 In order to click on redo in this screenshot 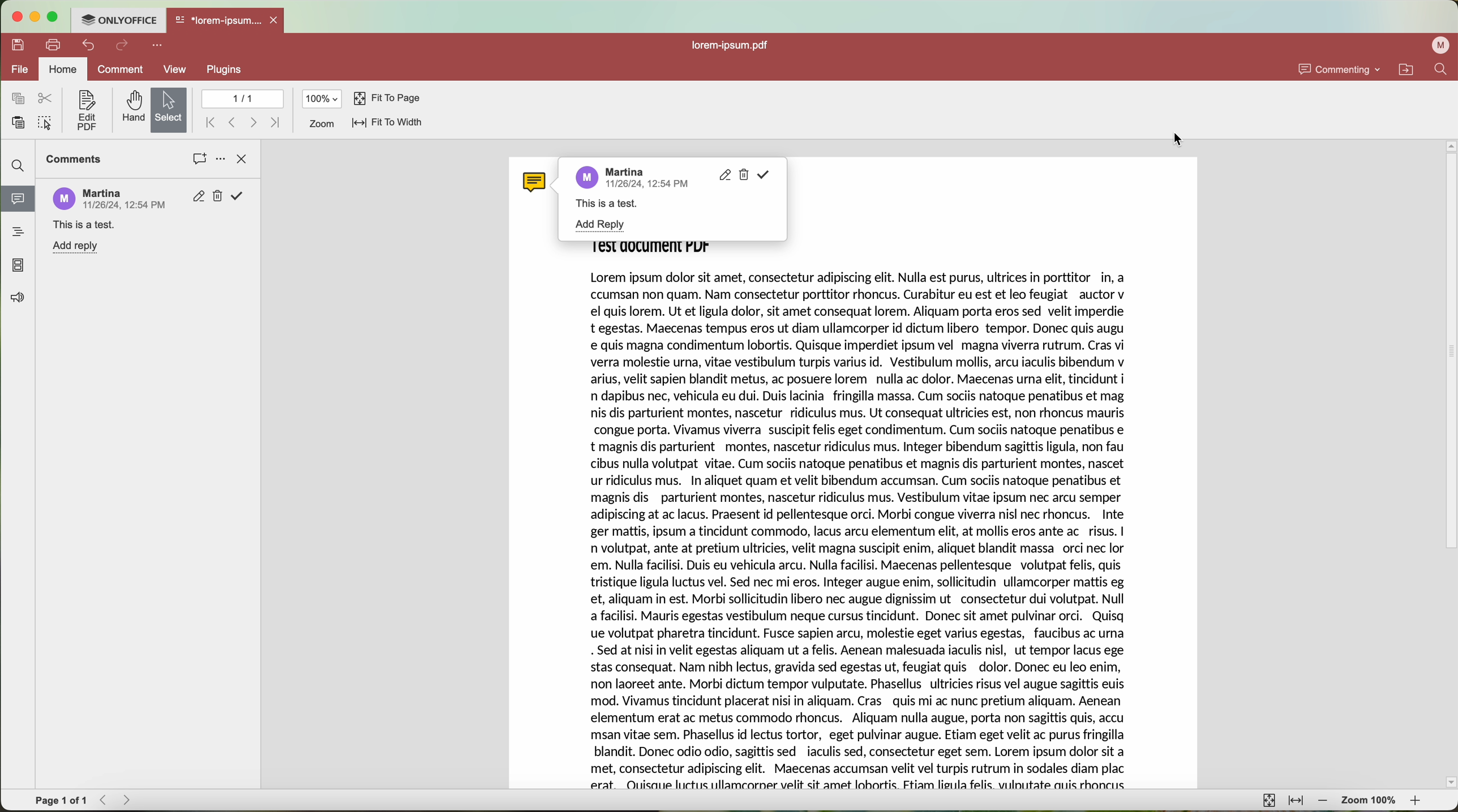, I will do `click(123, 46)`.